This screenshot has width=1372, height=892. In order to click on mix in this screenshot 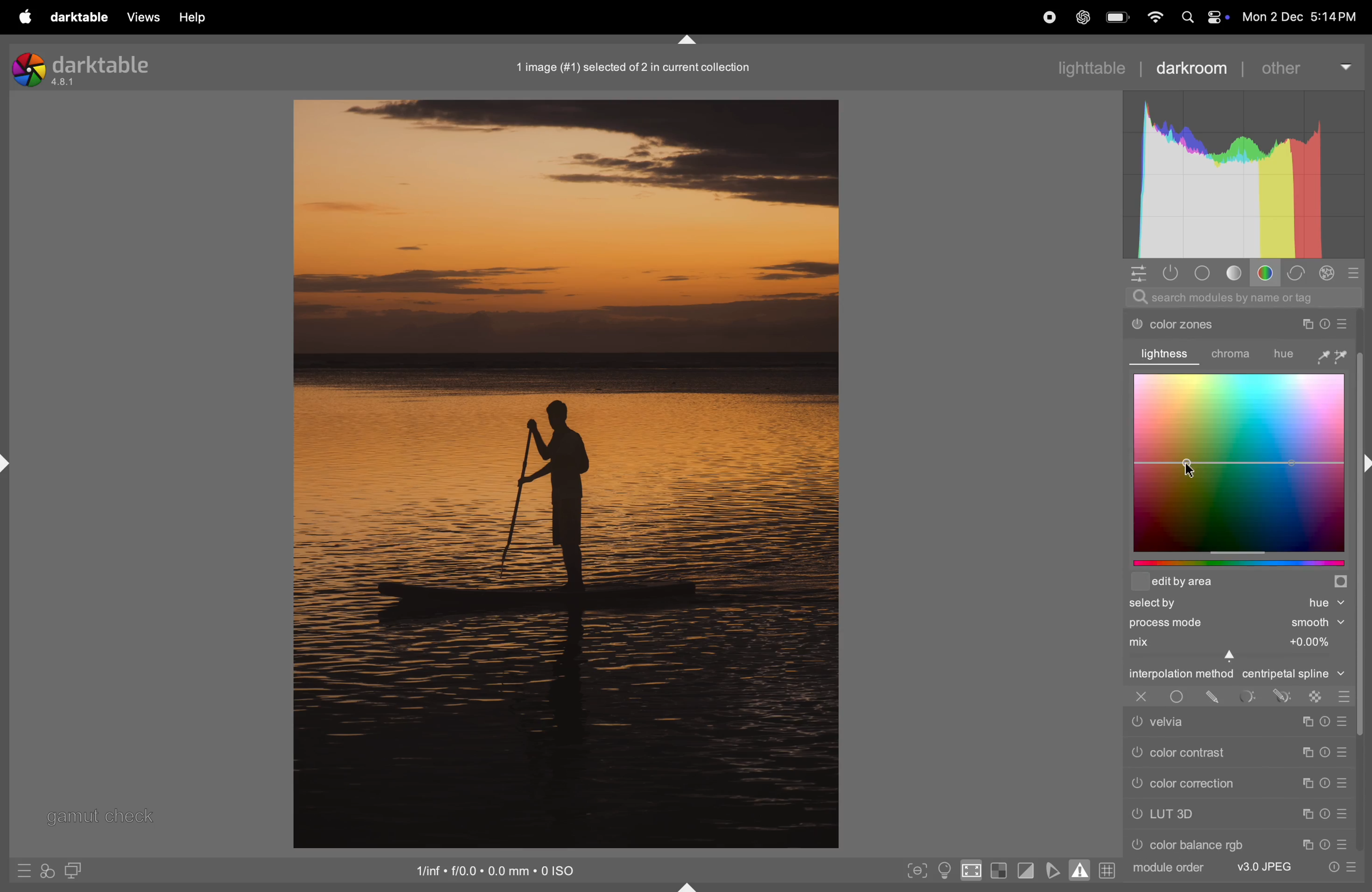, I will do `click(1234, 641)`.